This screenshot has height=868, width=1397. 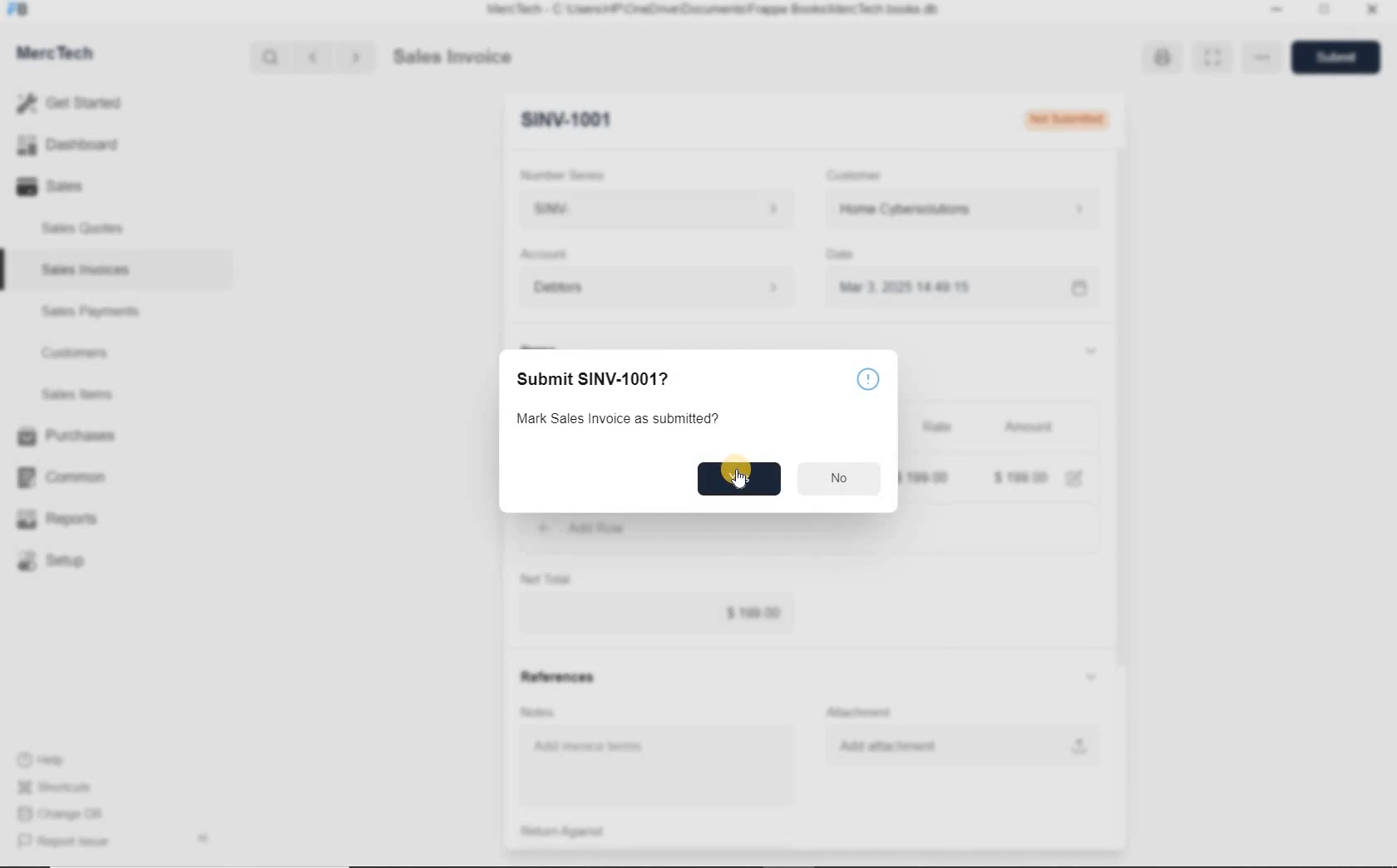 What do you see at coordinates (1078, 289) in the screenshot?
I see `Calendar` at bounding box center [1078, 289].